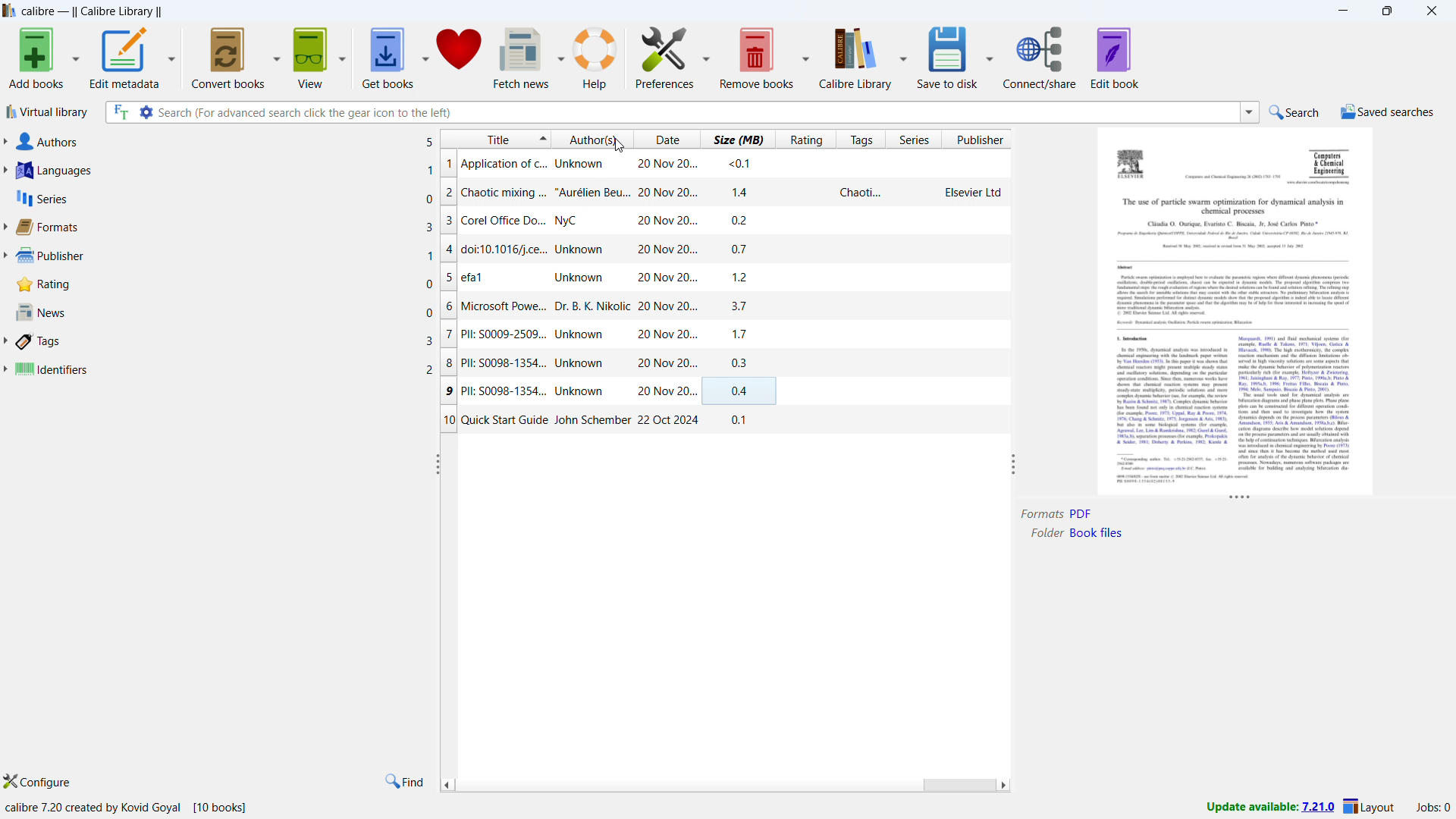 The image size is (1456, 819). What do you see at coordinates (743, 391) in the screenshot?
I see `04` at bounding box center [743, 391].